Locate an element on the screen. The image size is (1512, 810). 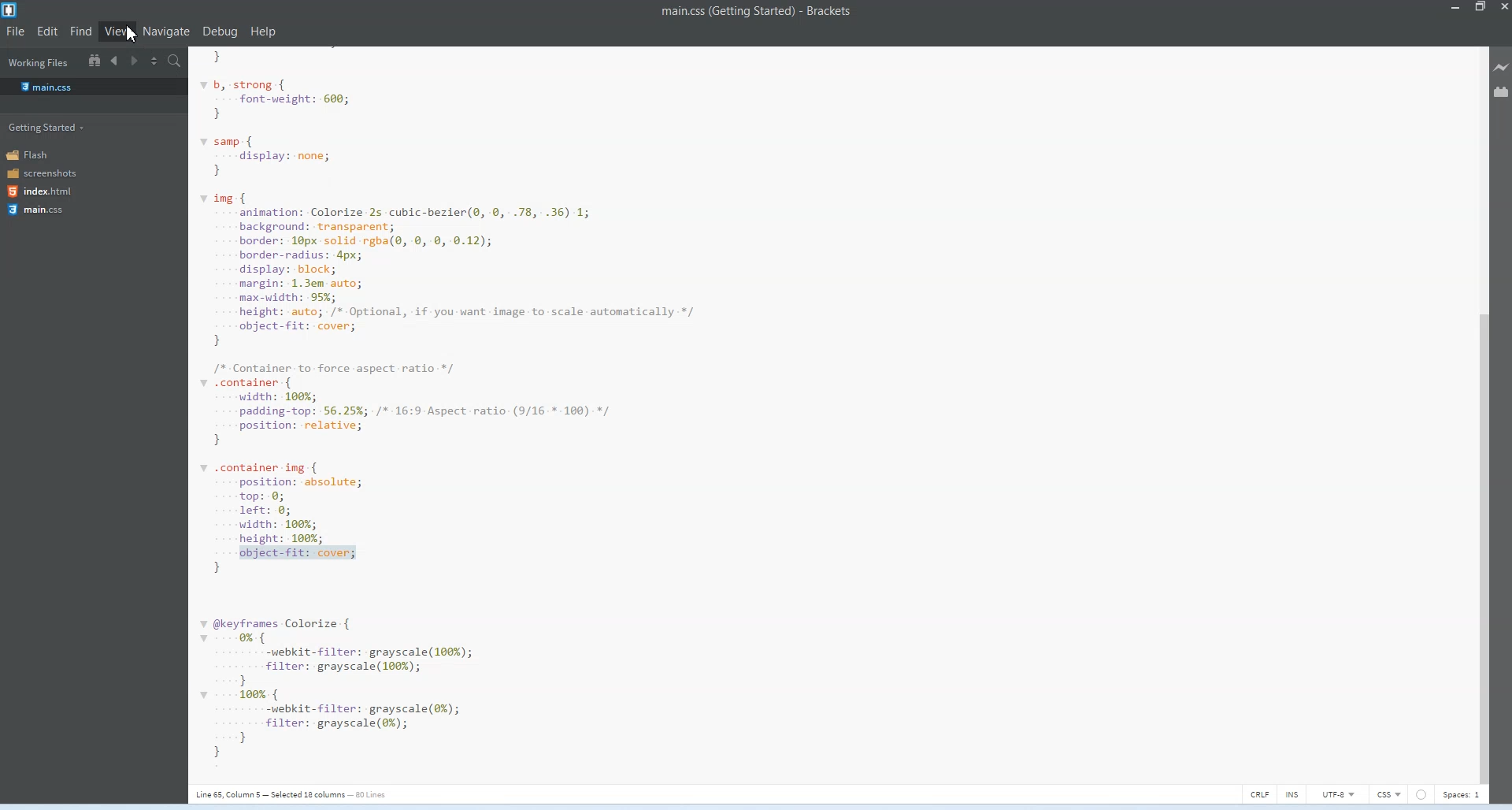
Extension manager is located at coordinates (1503, 92).